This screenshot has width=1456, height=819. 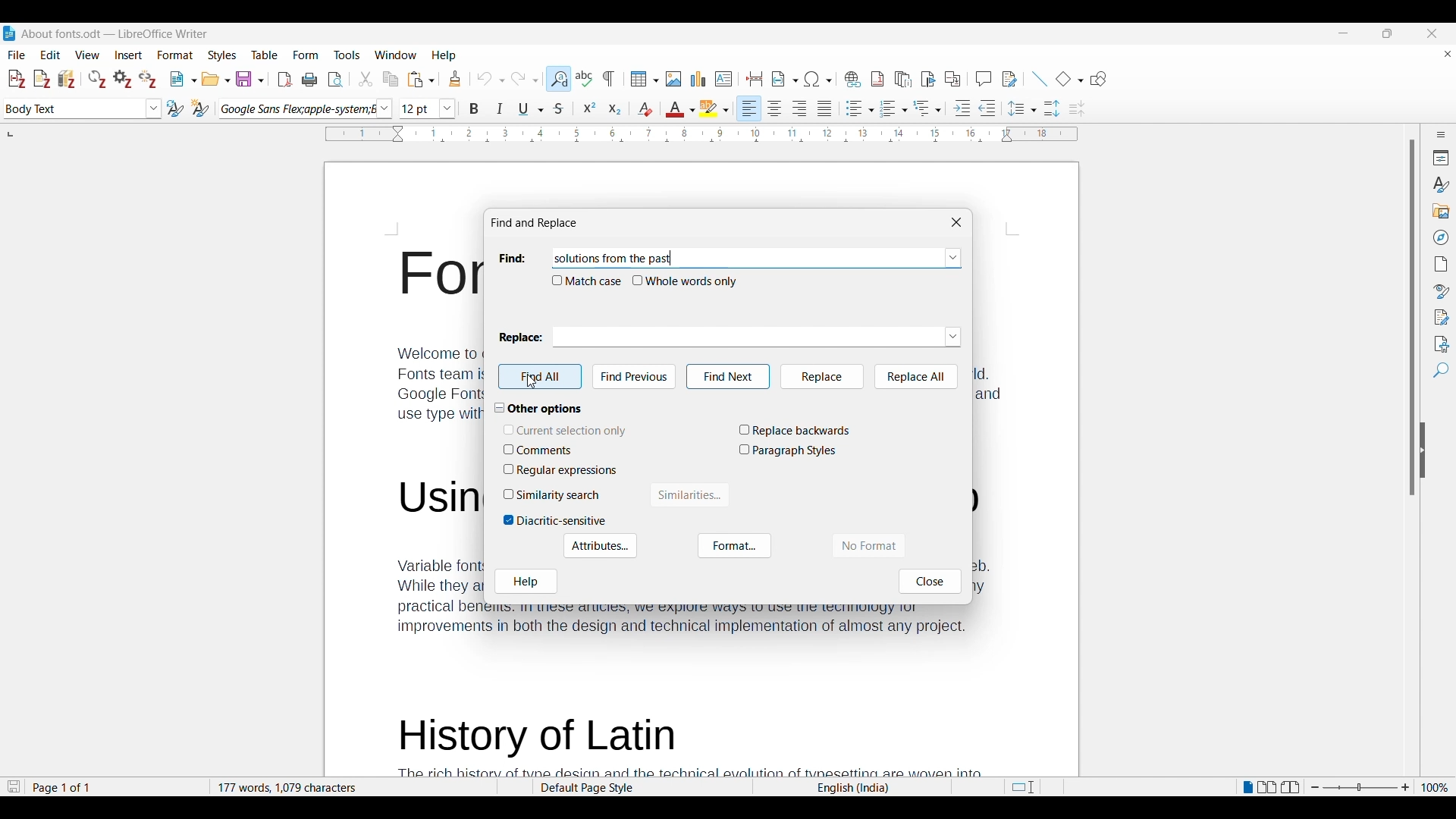 What do you see at coordinates (1440, 264) in the screenshot?
I see `Page` at bounding box center [1440, 264].